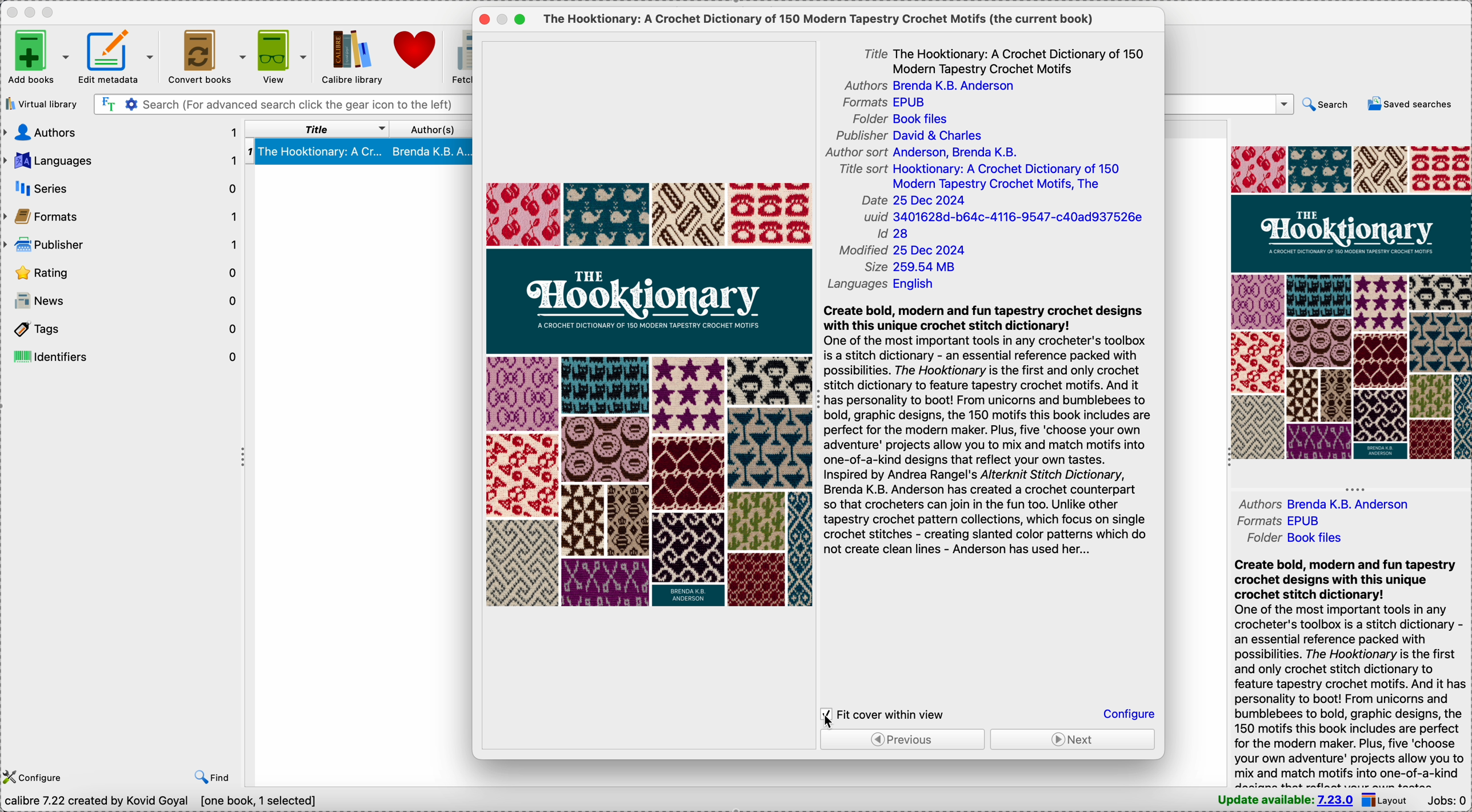  I want to click on book selected, so click(358, 154).